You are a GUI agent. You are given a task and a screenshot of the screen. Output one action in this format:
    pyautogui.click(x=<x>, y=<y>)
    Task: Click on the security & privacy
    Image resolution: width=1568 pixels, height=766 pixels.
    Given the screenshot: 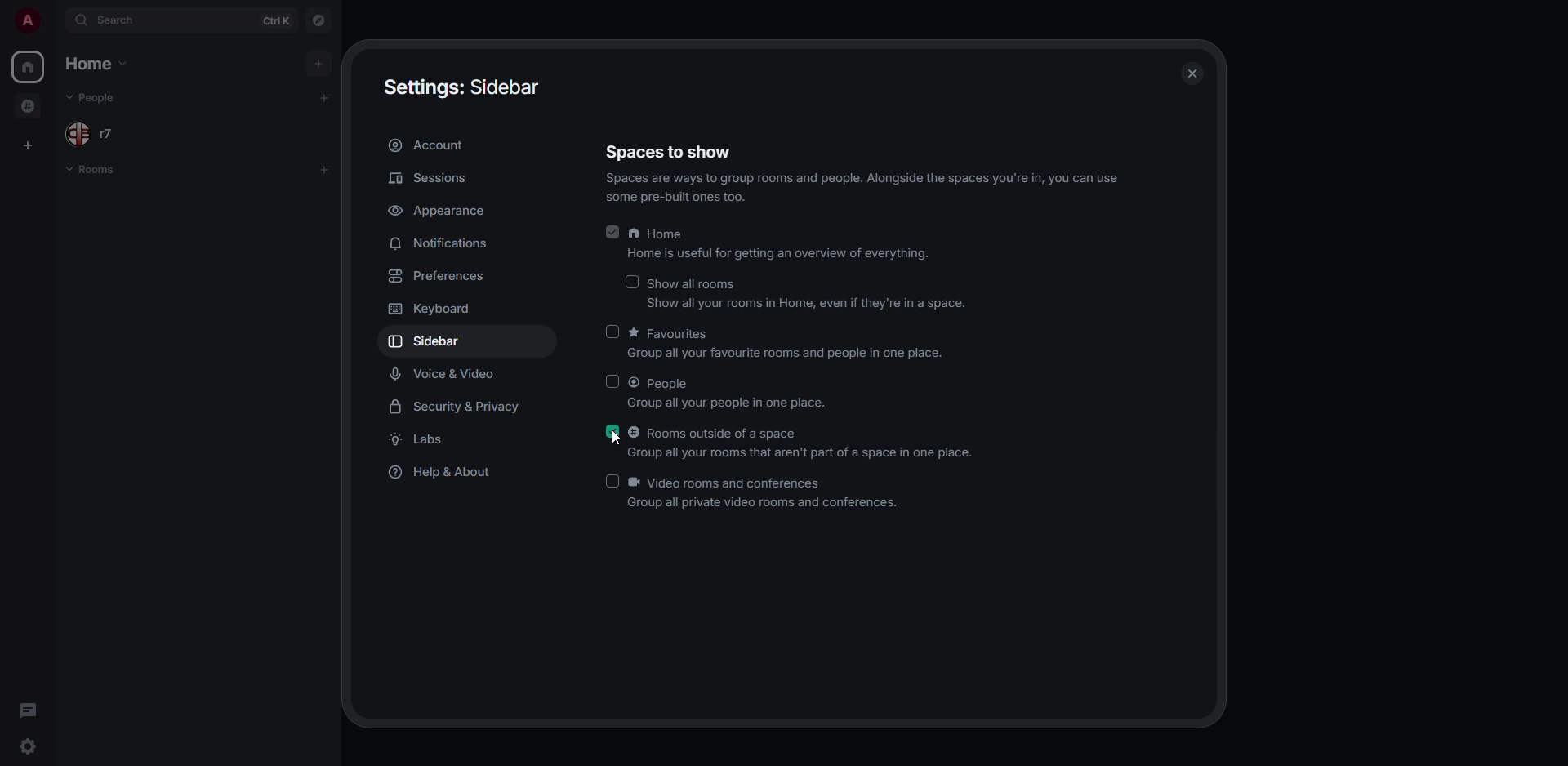 What is the action you would take?
    pyautogui.click(x=462, y=407)
    